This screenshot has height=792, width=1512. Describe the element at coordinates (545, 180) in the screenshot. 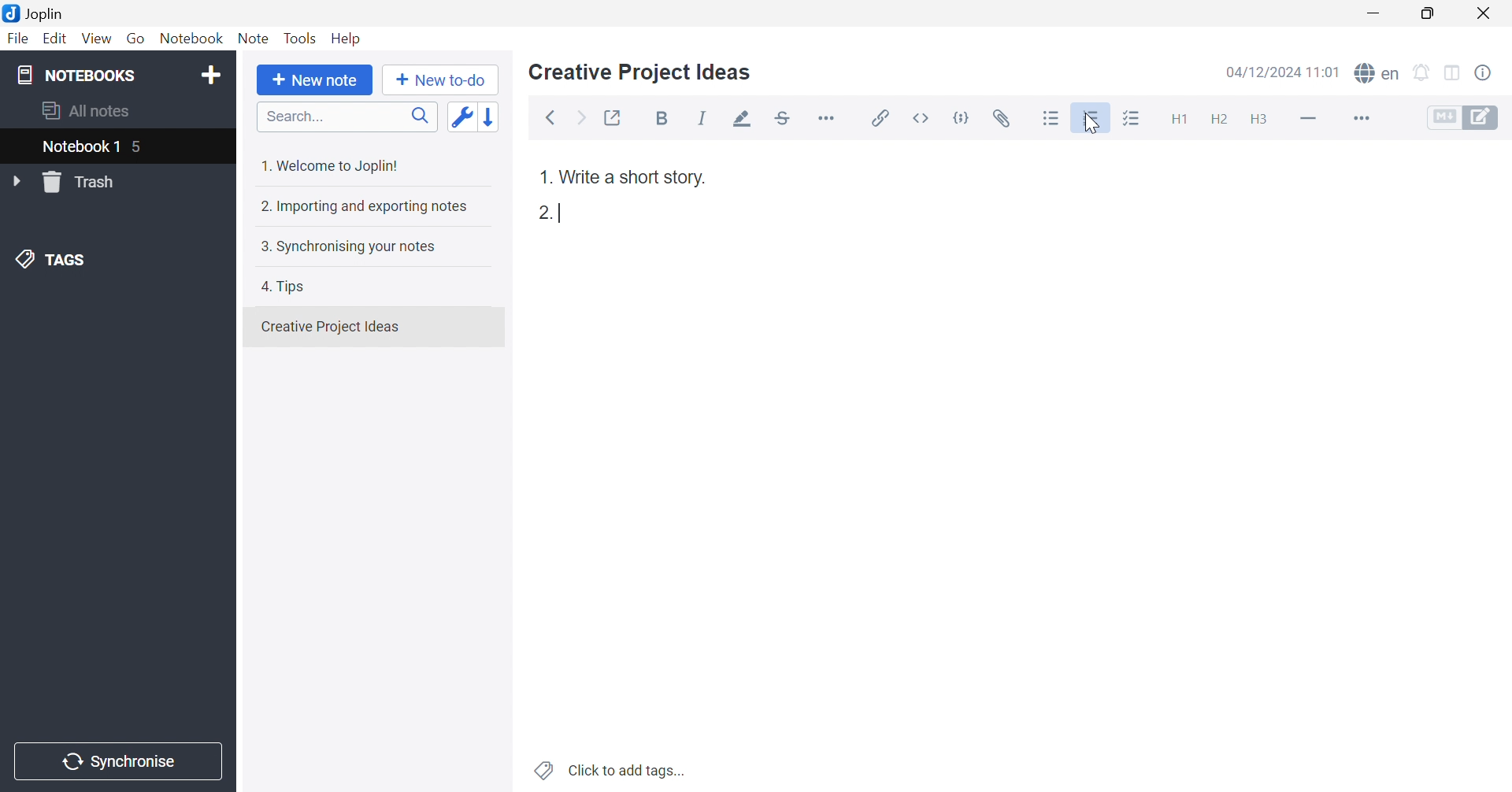

I see `1.` at that location.